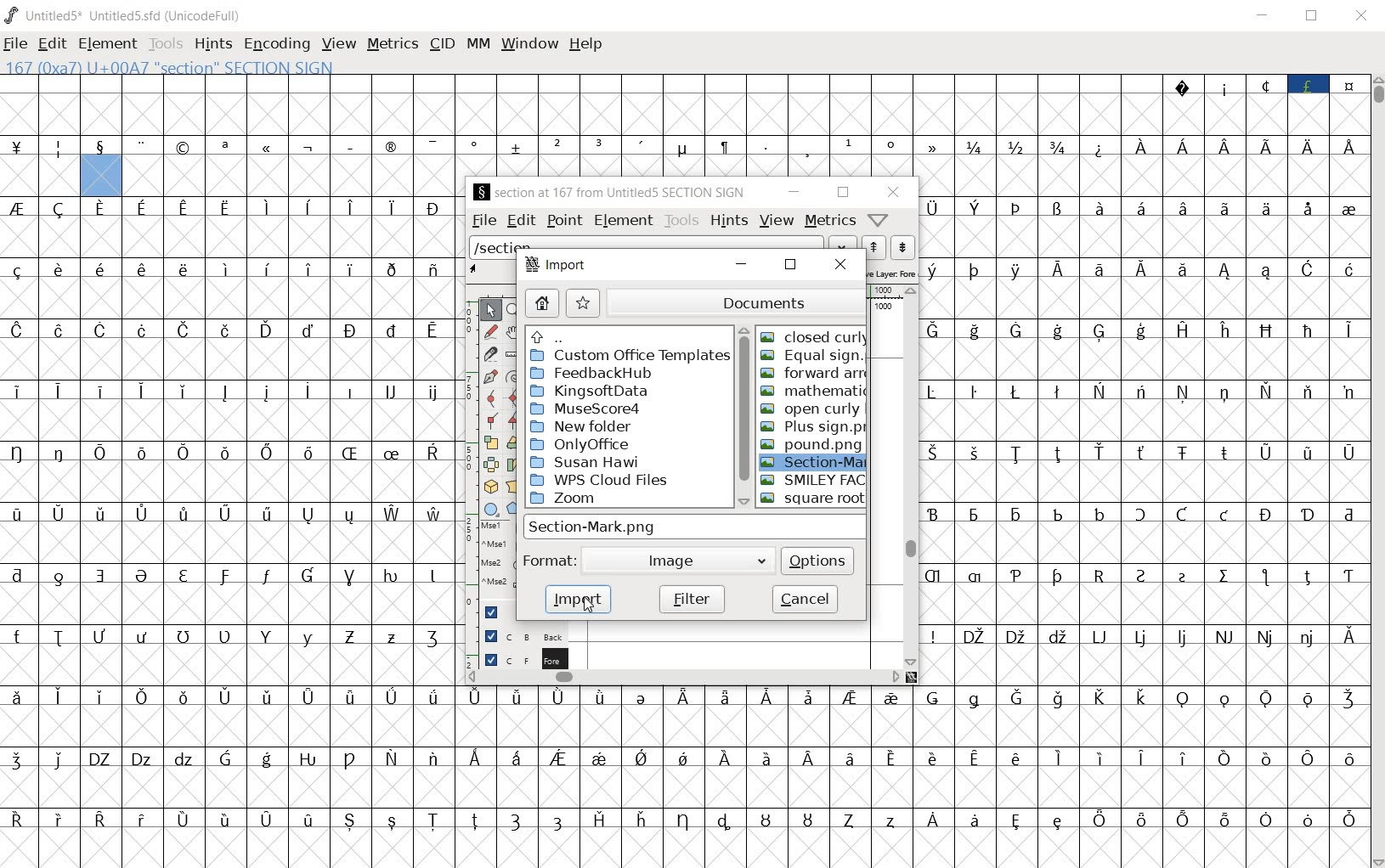  What do you see at coordinates (1377, 471) in the screenshot?
I see `SCROLLBAR` at bounding box center [1377, 471].